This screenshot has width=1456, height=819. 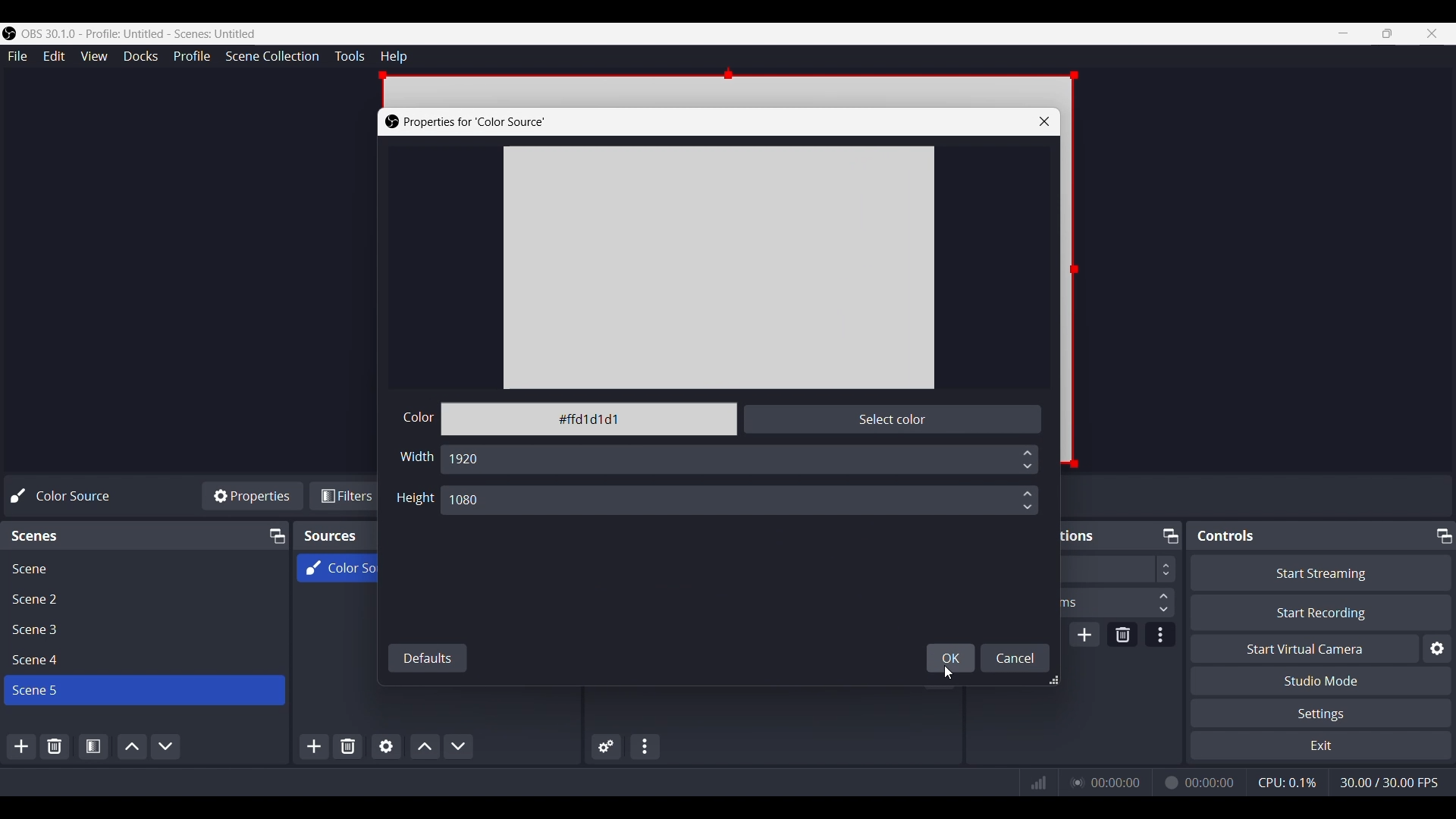 What do you see at coordinates (130, 747) in the screenshot?
I see `Move Scene Up ` at bounding box center [130, 747].